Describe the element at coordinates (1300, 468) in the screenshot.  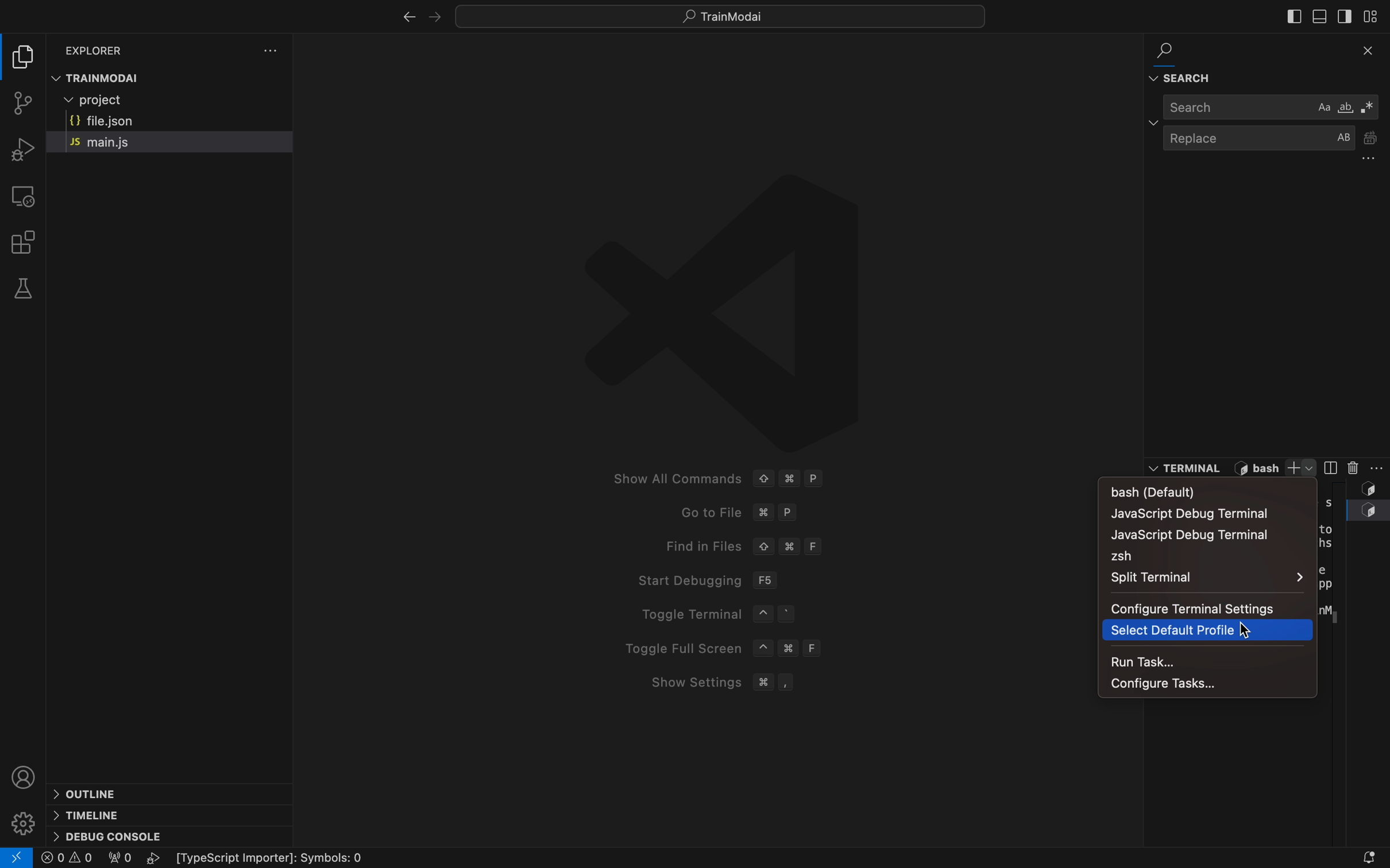
I see `add terminal` at that location.